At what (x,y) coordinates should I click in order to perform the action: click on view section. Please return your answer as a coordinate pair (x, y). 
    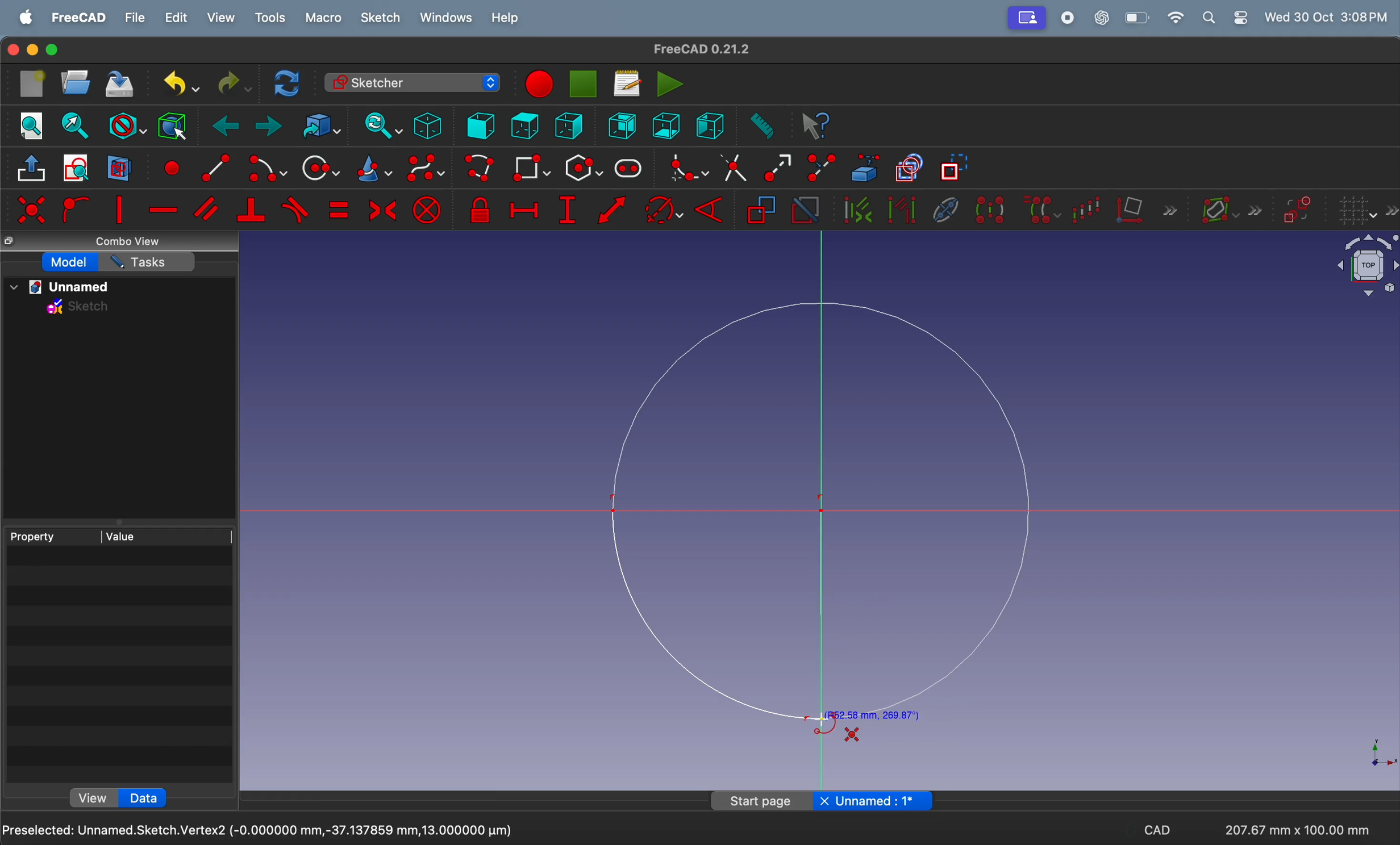
    Looking at the image, I should click on (119, 168).